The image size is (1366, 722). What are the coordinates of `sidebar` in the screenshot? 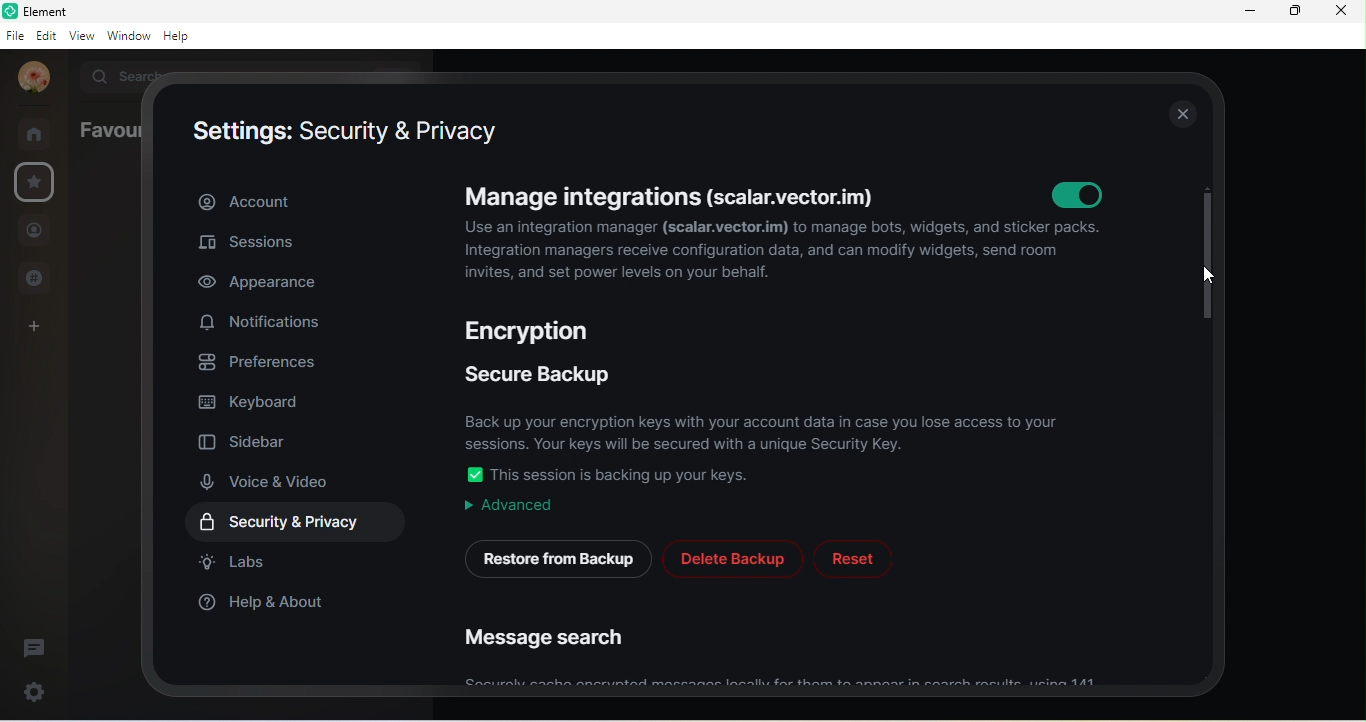 It's located at (248, 438).